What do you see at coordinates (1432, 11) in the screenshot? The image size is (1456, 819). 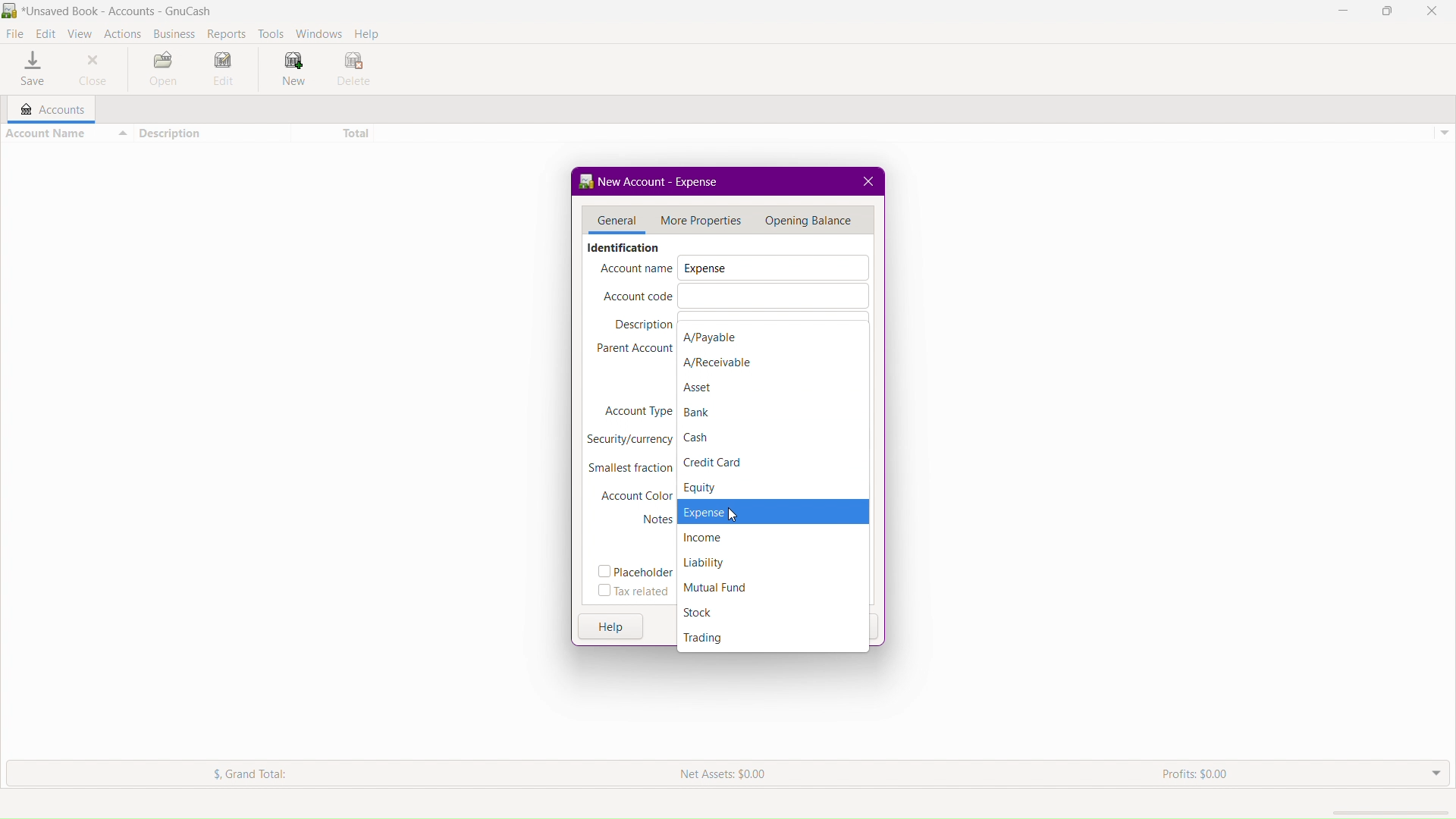 I see `Close` at bounding box center [1432, 11].